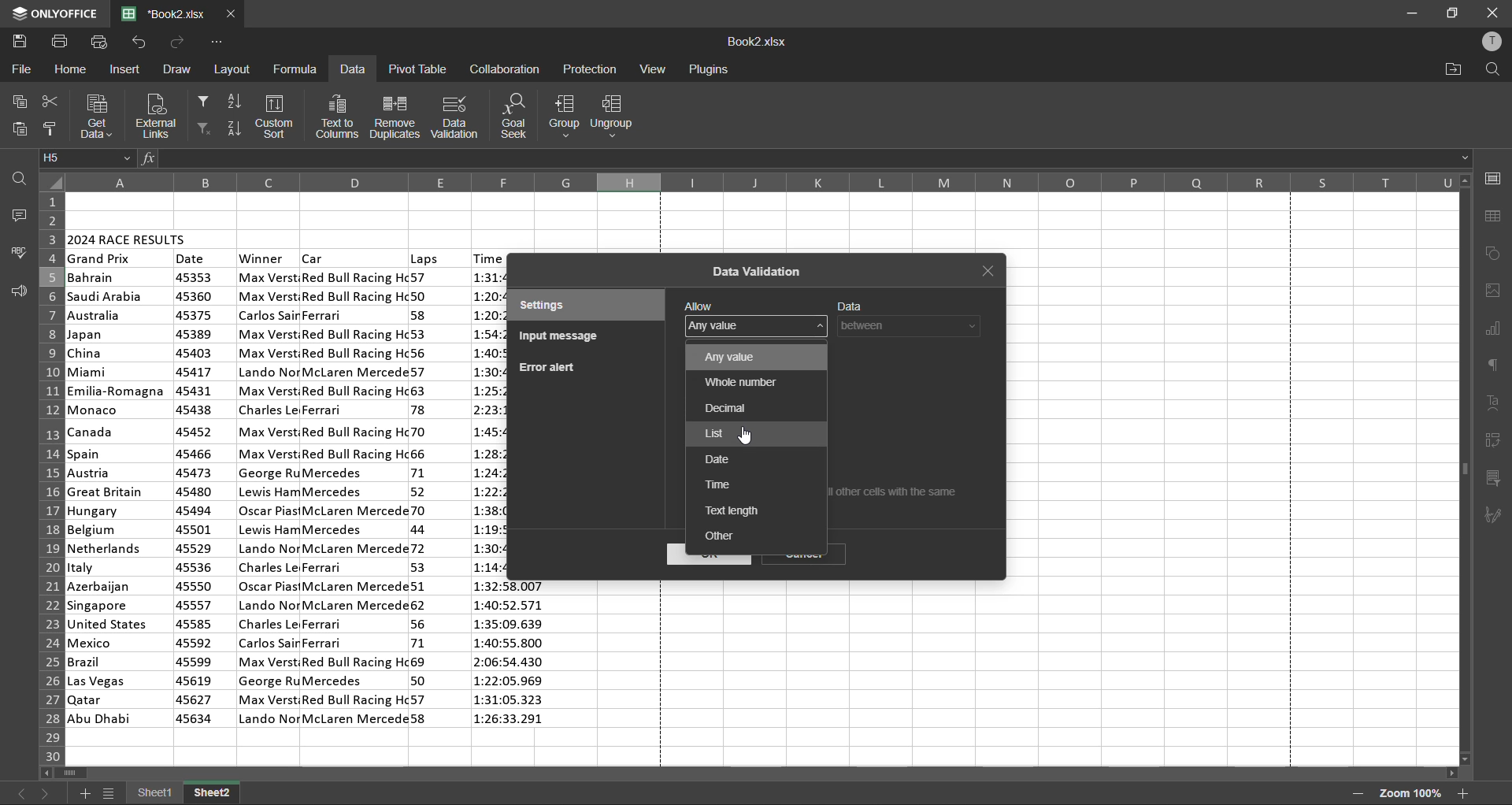 Image resolution: width=1512 pixels, height=805 pixels. What do you see at coordinates (20, 792) in the screenshot?
I see `previous` at bounding box center [20, 792].